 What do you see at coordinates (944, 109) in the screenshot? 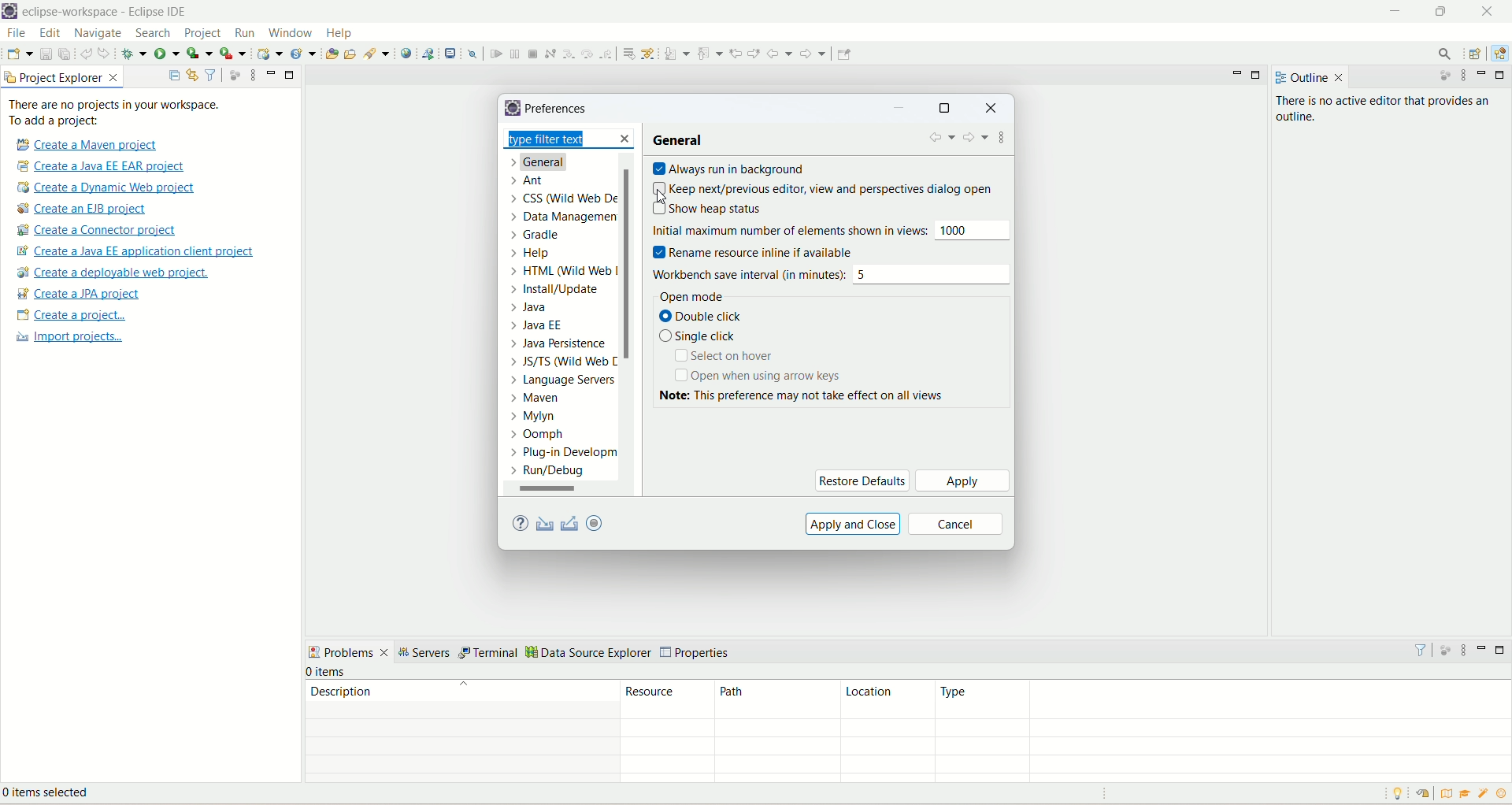
I see `maximize` at bounding box center [944, 109].